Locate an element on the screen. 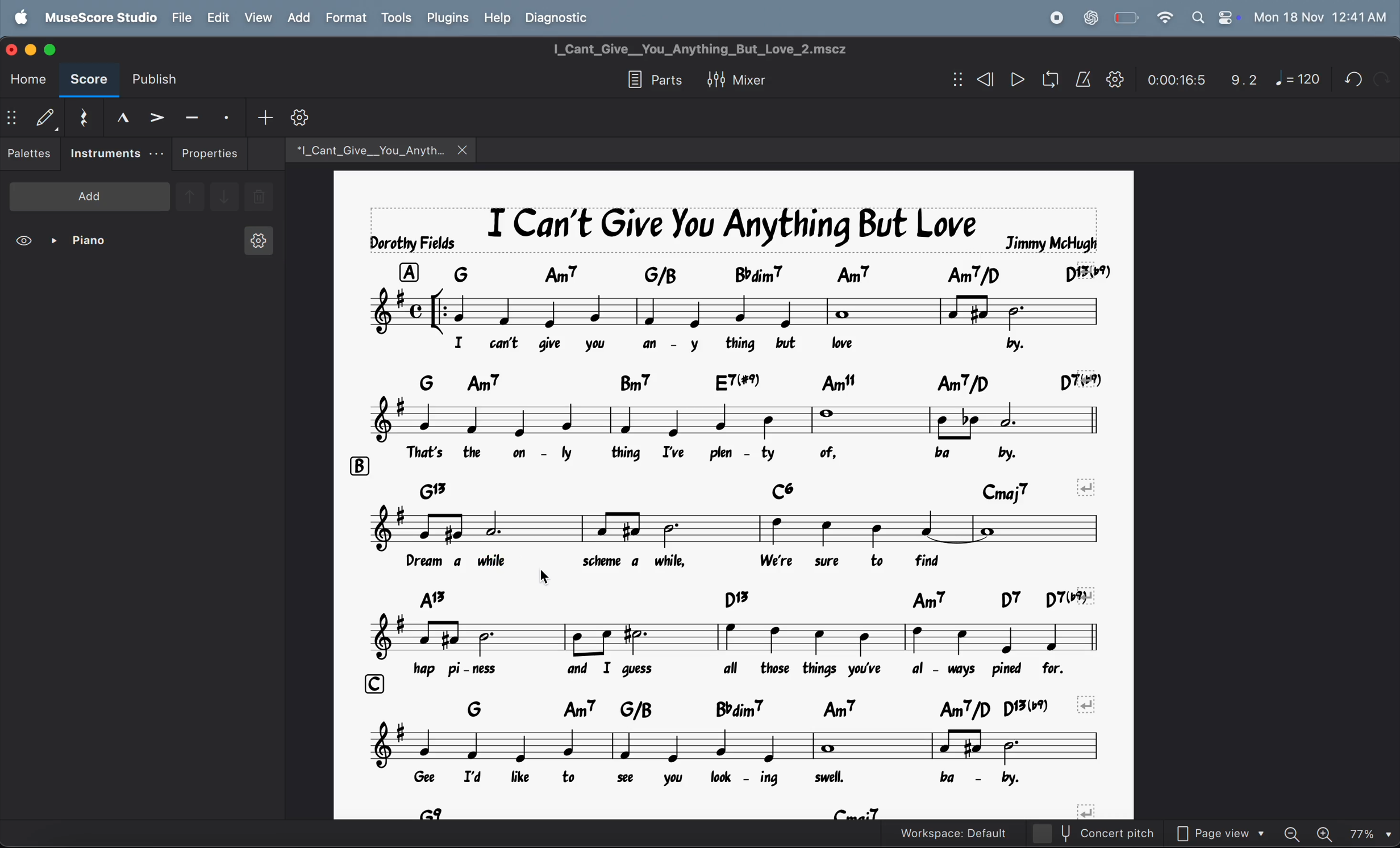 This screenshot has height=848, width=1400. tools is located at coordinates (398, 18).